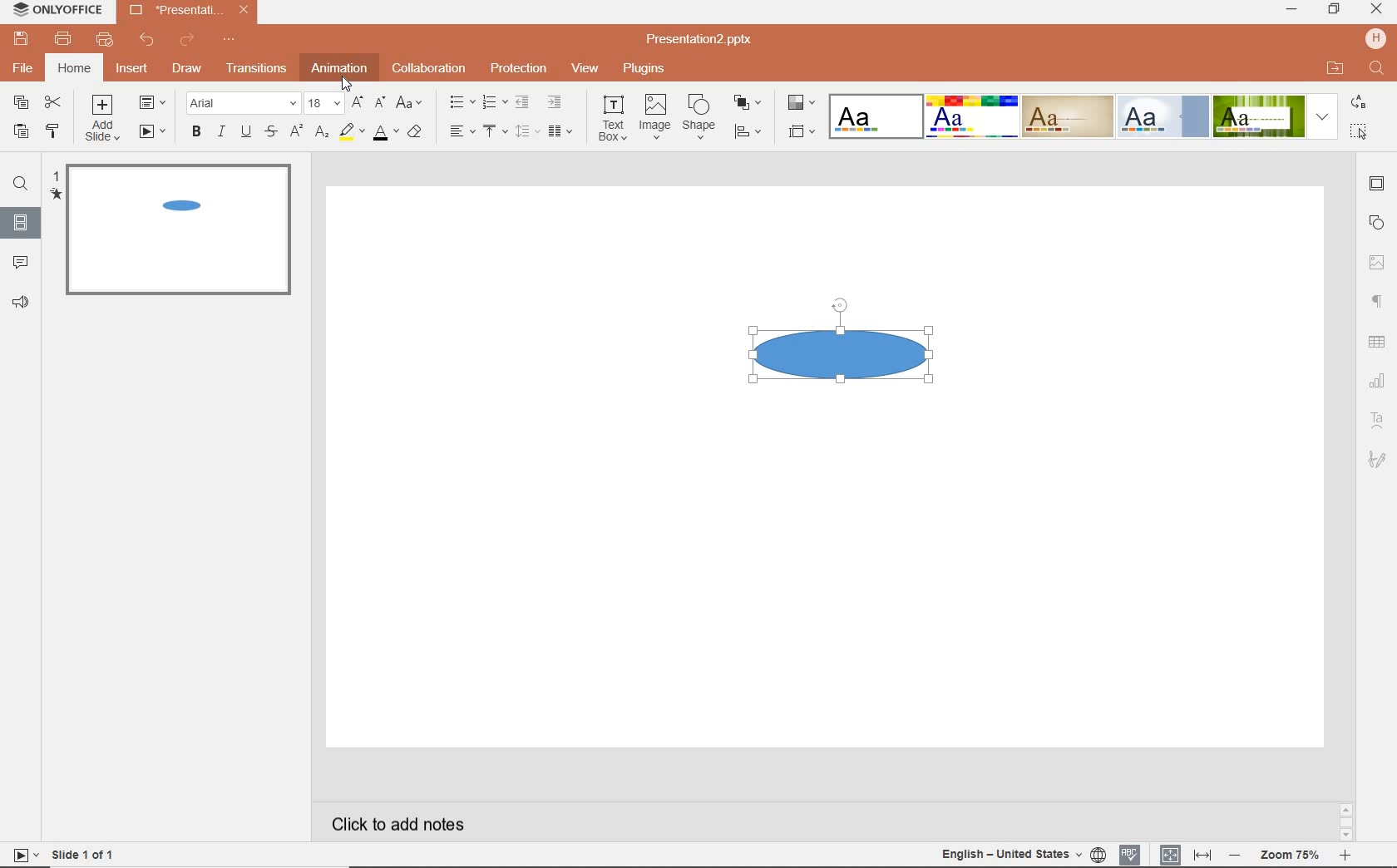 Image resolution: width=1397 pixels, height=868 pixels. I want to click on FIND, so click(22, 185).